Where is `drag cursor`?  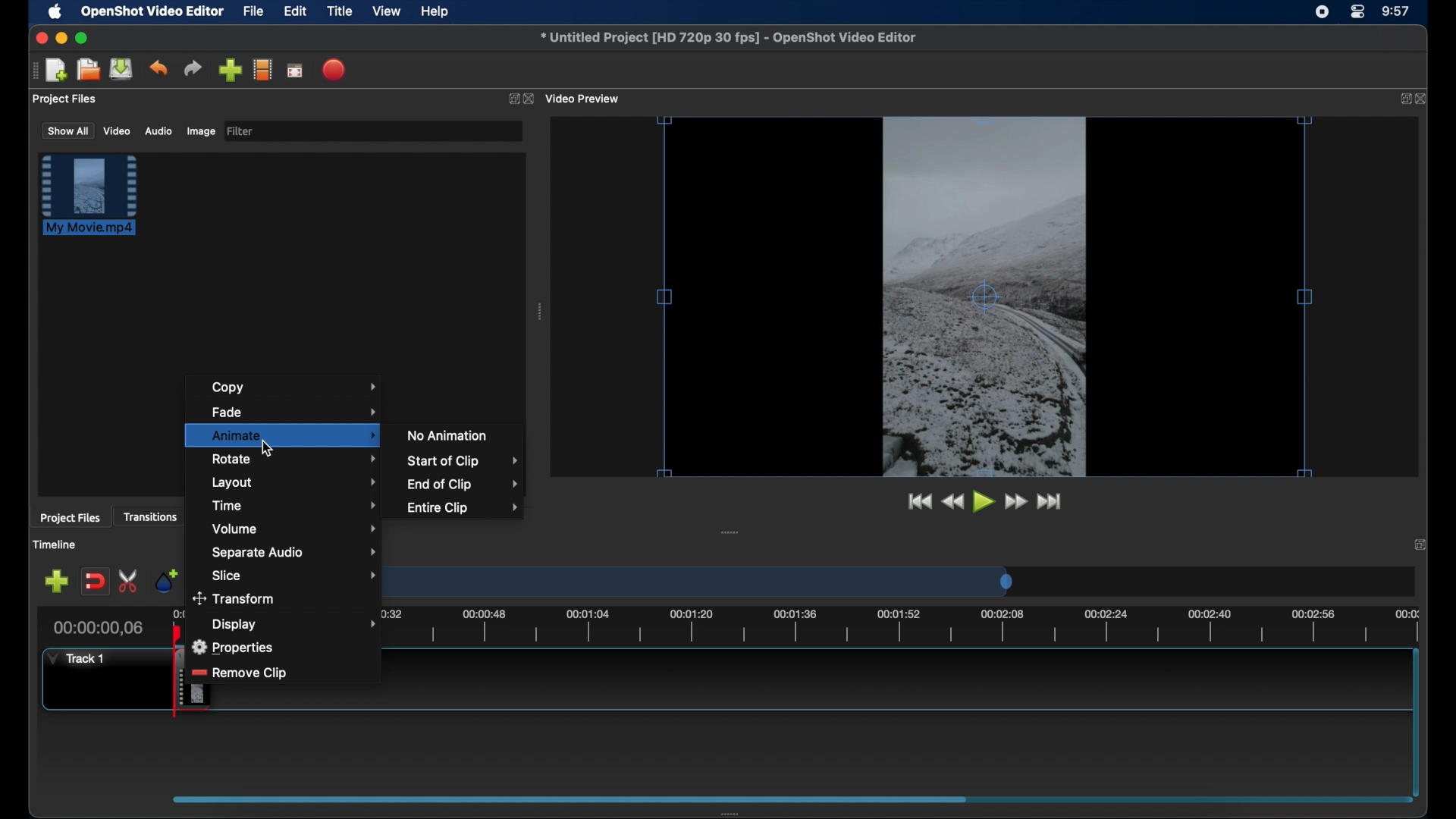
drag cursor is located at coordinates (179, 680).